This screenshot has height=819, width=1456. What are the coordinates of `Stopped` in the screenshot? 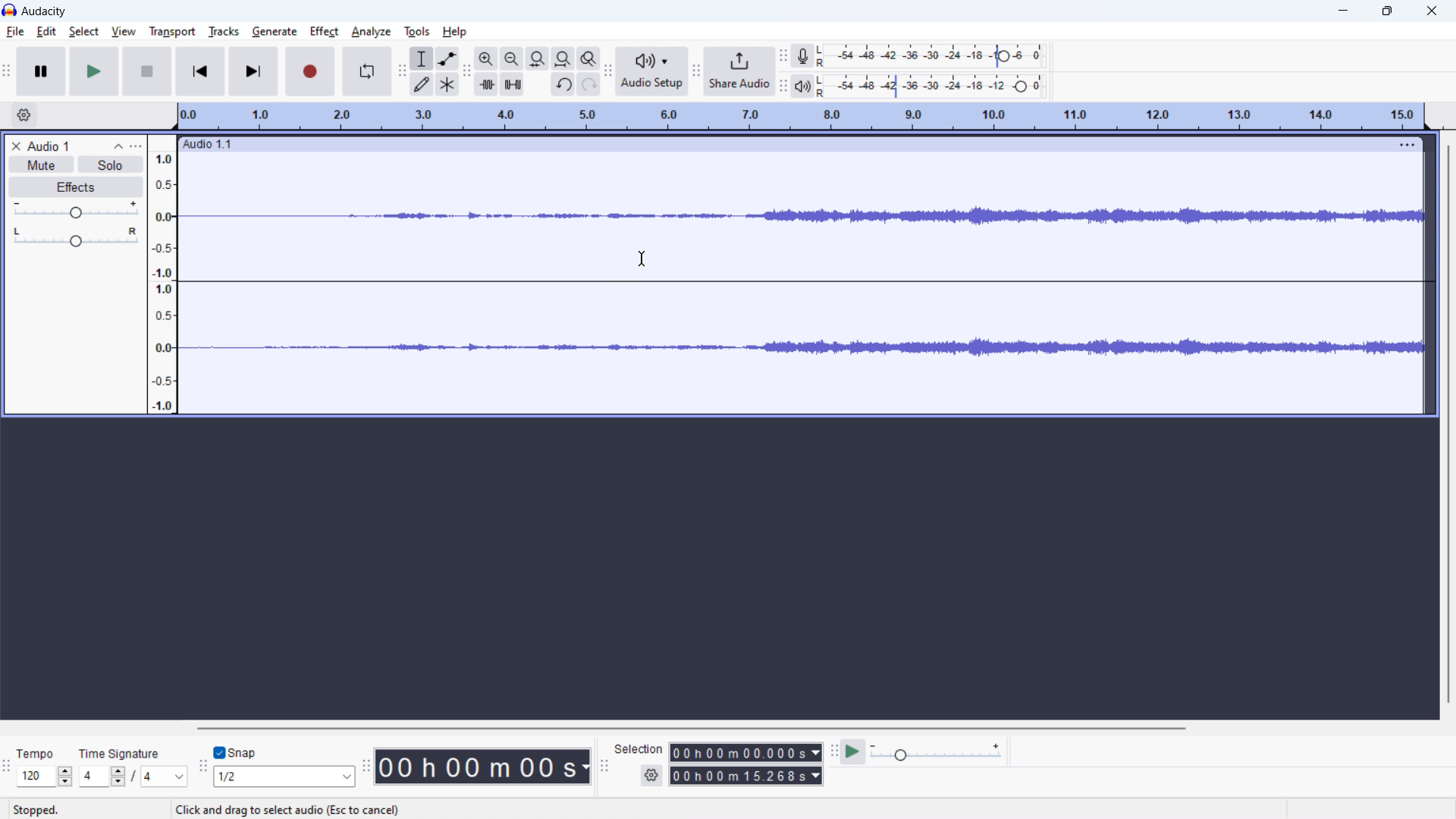 It's located at (36, 810).